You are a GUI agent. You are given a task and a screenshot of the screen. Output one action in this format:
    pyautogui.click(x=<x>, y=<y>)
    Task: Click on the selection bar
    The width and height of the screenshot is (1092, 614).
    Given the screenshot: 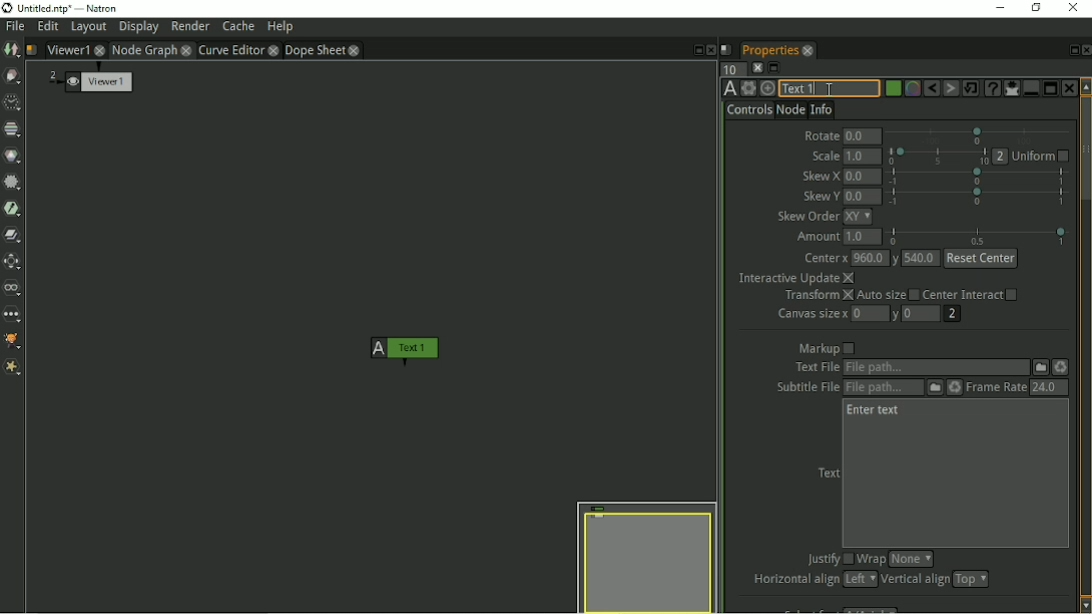 What is the action you would take?
    pyautogui.click(x=977, y=198)
    